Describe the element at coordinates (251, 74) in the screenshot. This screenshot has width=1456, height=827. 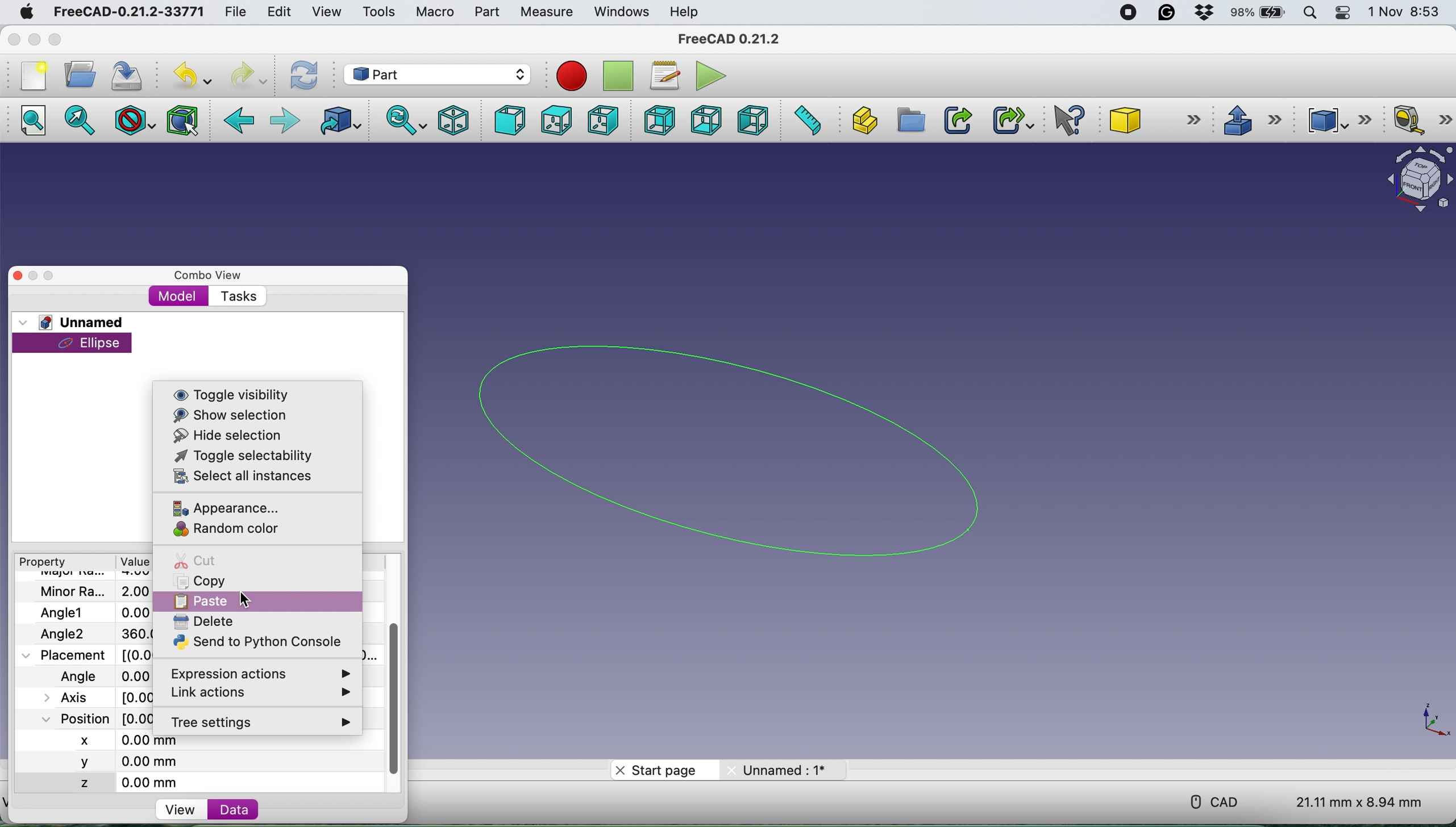
I see `redo` at that location.